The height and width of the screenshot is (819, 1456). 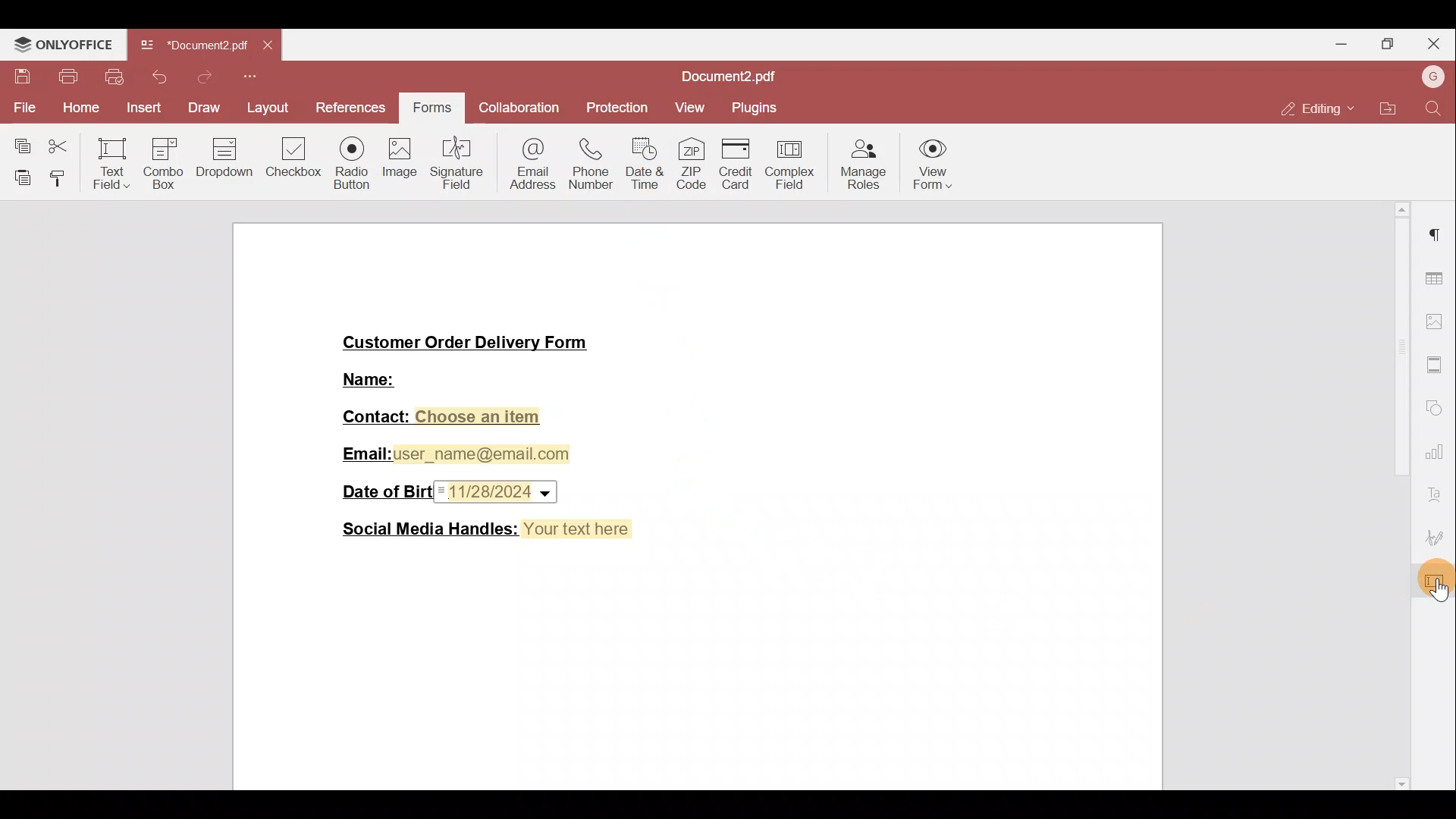 What do you see at coordinates (497, 492) in the screenshot?
I see `Date & time field inserted` at bounding box center [497, 492].